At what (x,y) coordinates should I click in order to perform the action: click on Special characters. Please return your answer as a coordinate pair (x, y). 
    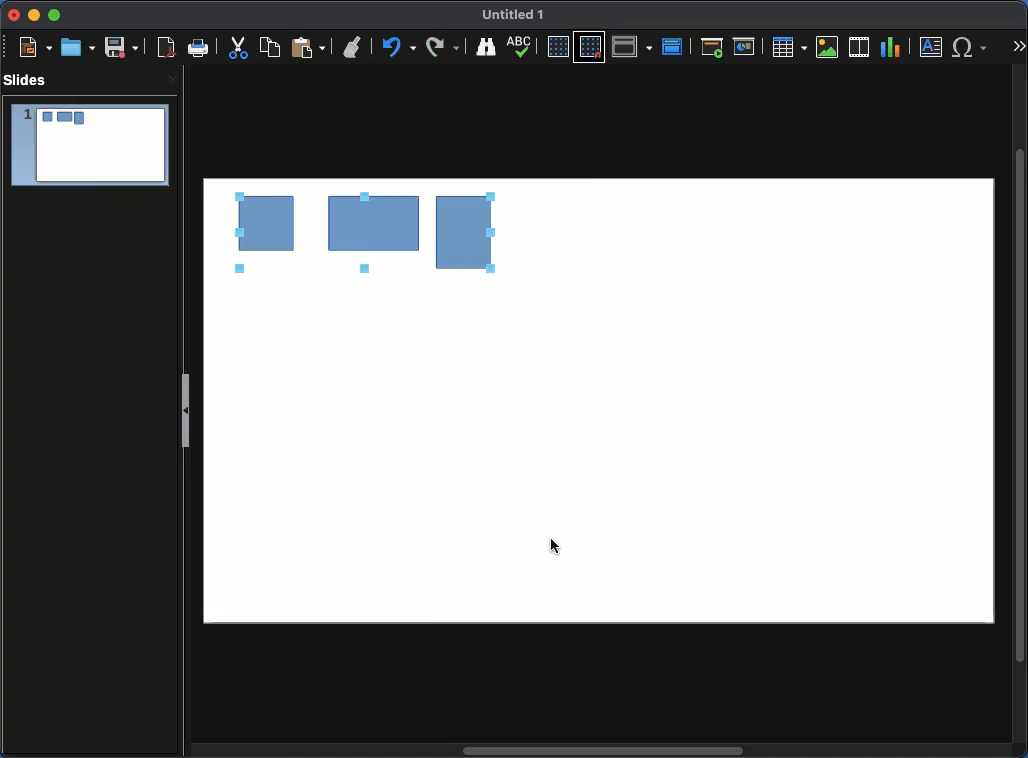
    Looking at the image, I should click on (970, 47).